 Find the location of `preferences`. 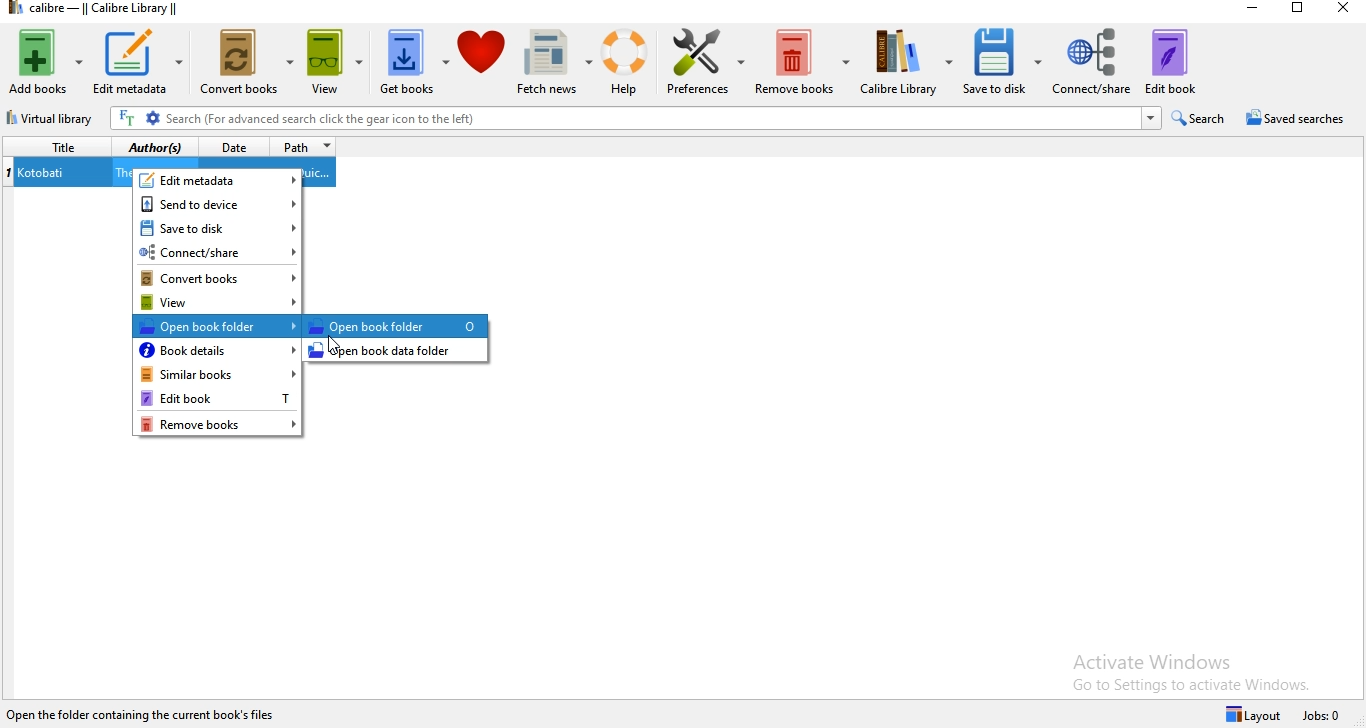

preferences is located at coordinates (703, 66).